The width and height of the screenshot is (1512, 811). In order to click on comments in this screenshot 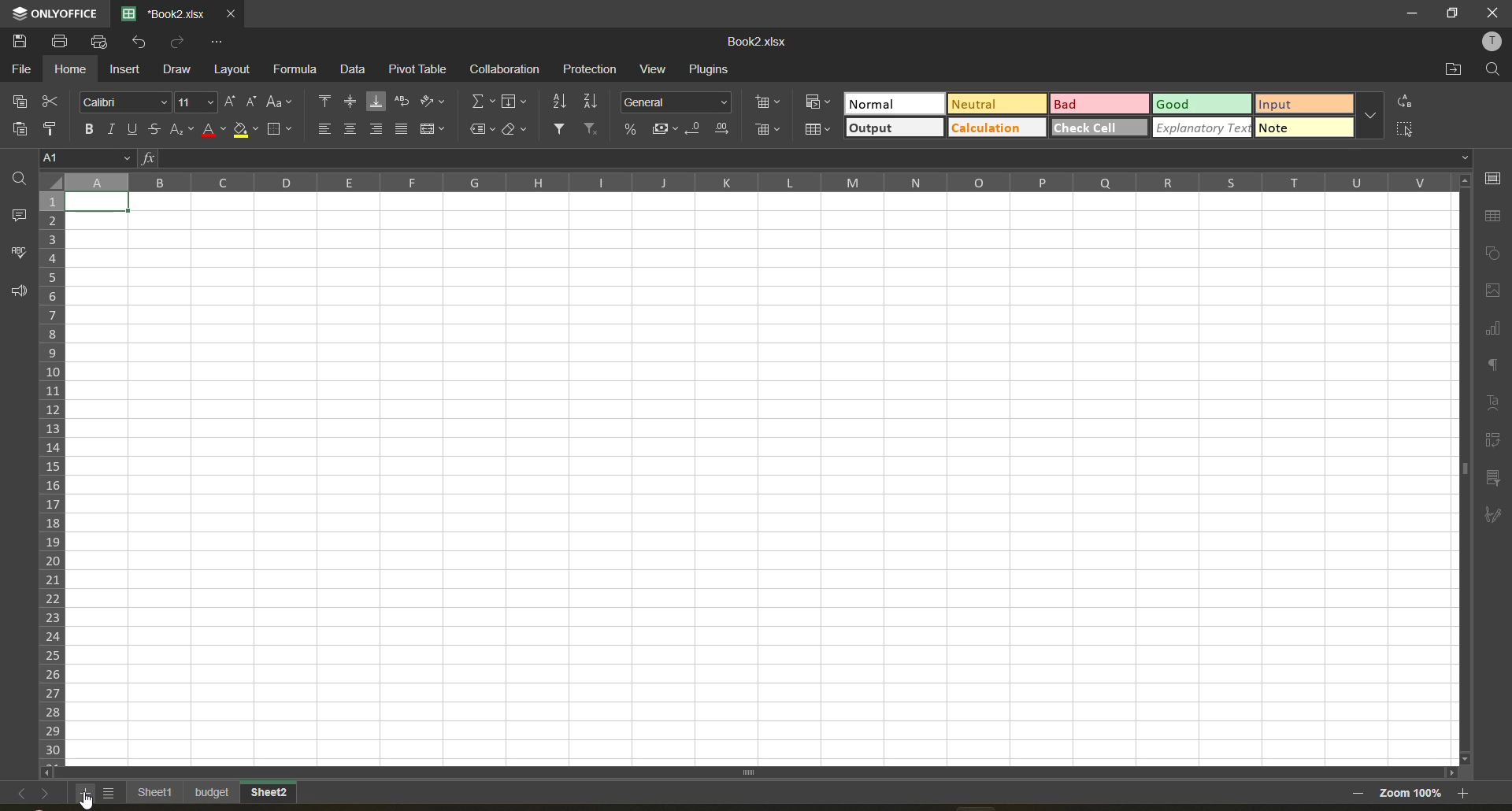, I will do `click(20, 213)`.